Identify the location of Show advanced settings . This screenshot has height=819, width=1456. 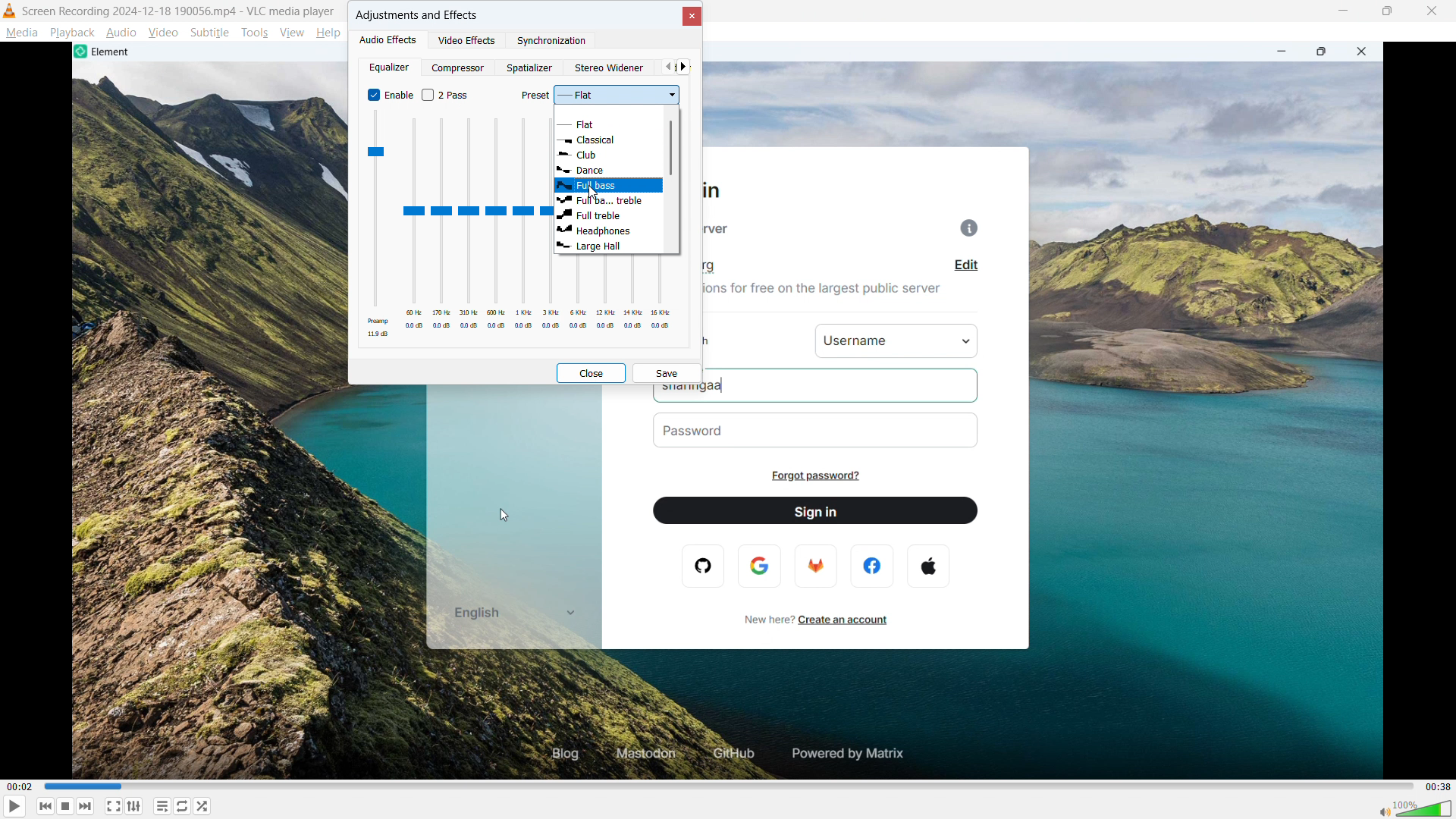
(136, 807).